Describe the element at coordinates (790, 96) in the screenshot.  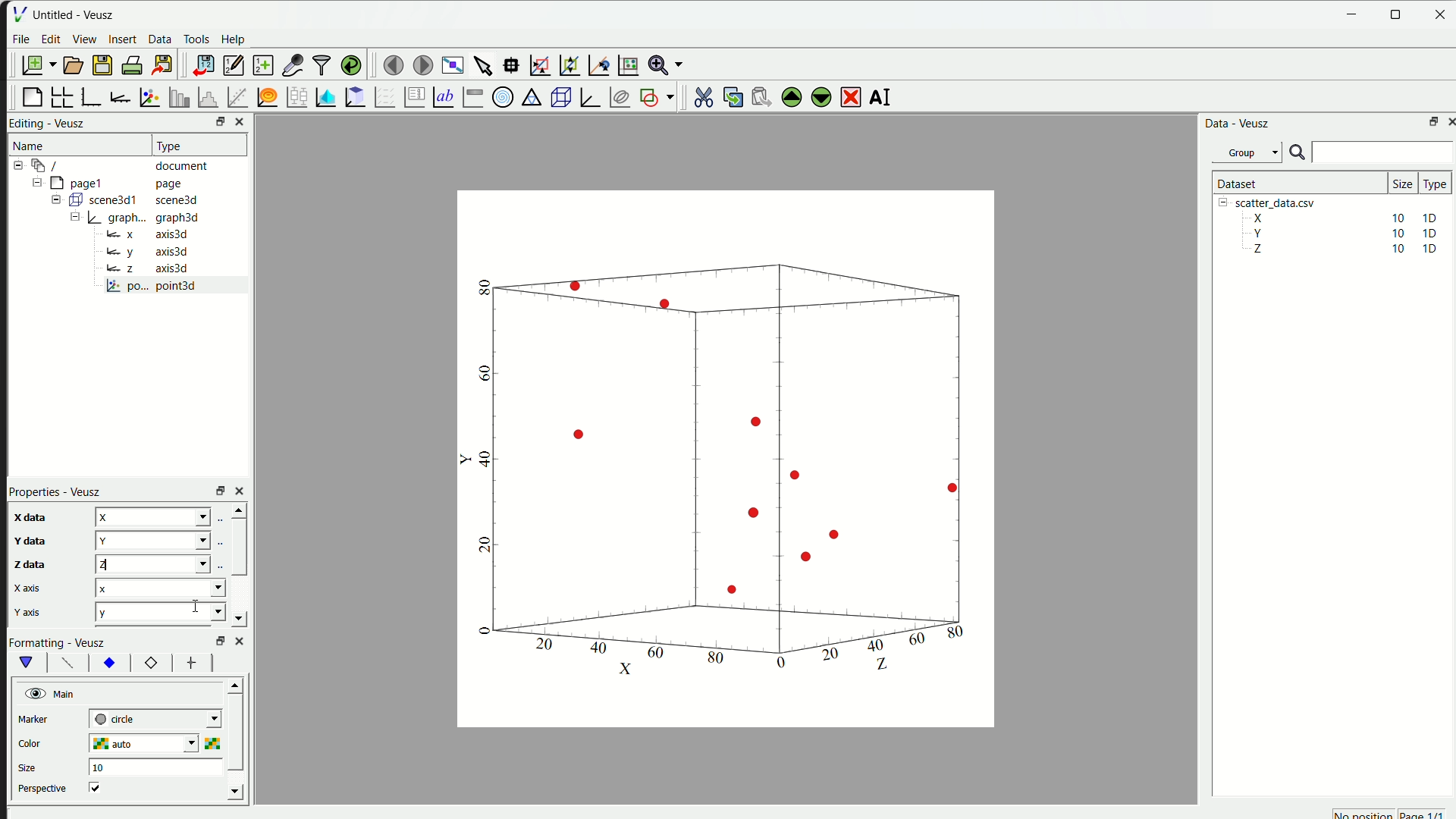
I see `move up the selected widget` at that location.